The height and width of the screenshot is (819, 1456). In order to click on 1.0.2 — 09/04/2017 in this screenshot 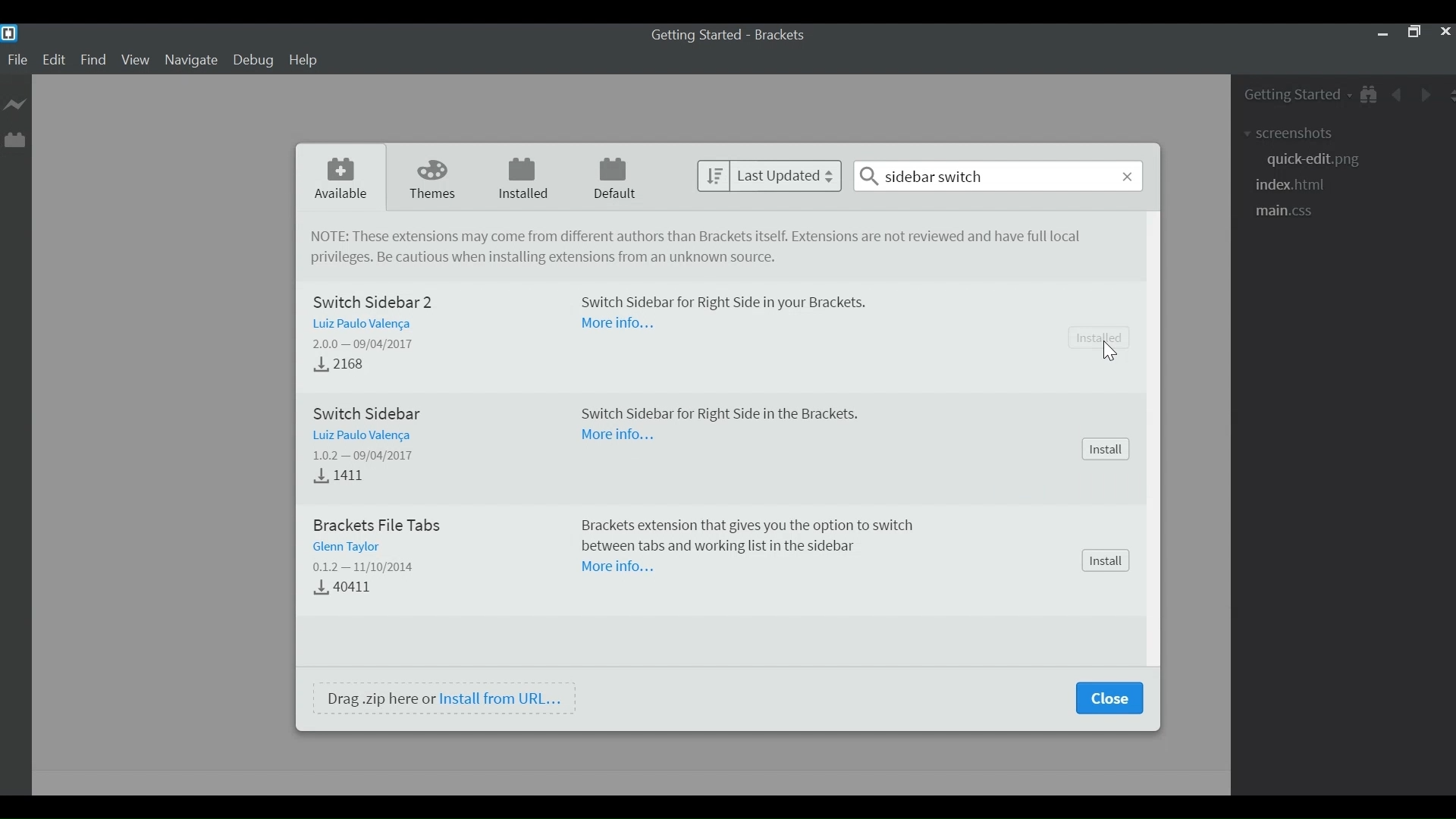, I will do `click(362, 457)`.